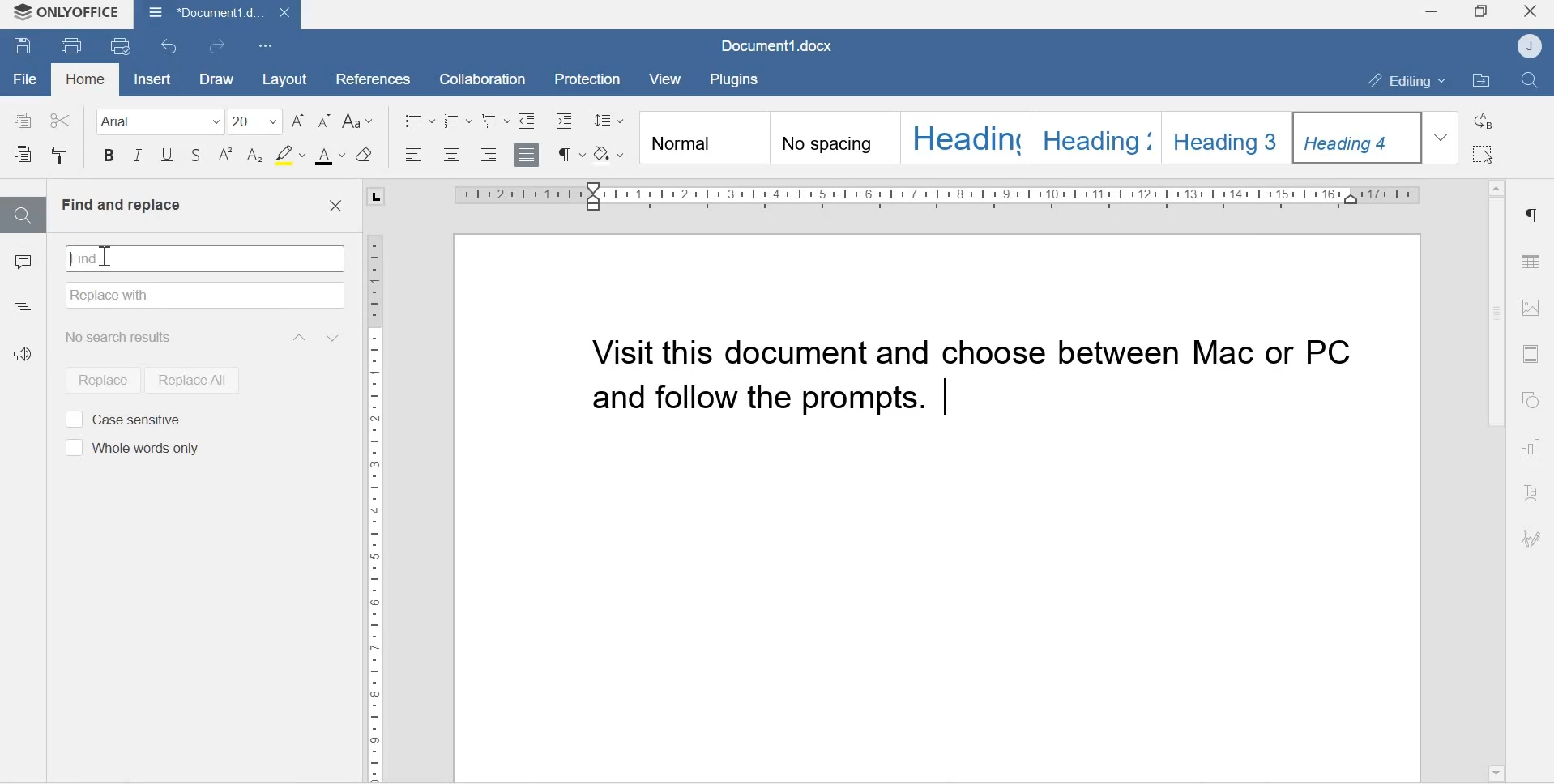  I want to click on Table, so click(1531, 258).